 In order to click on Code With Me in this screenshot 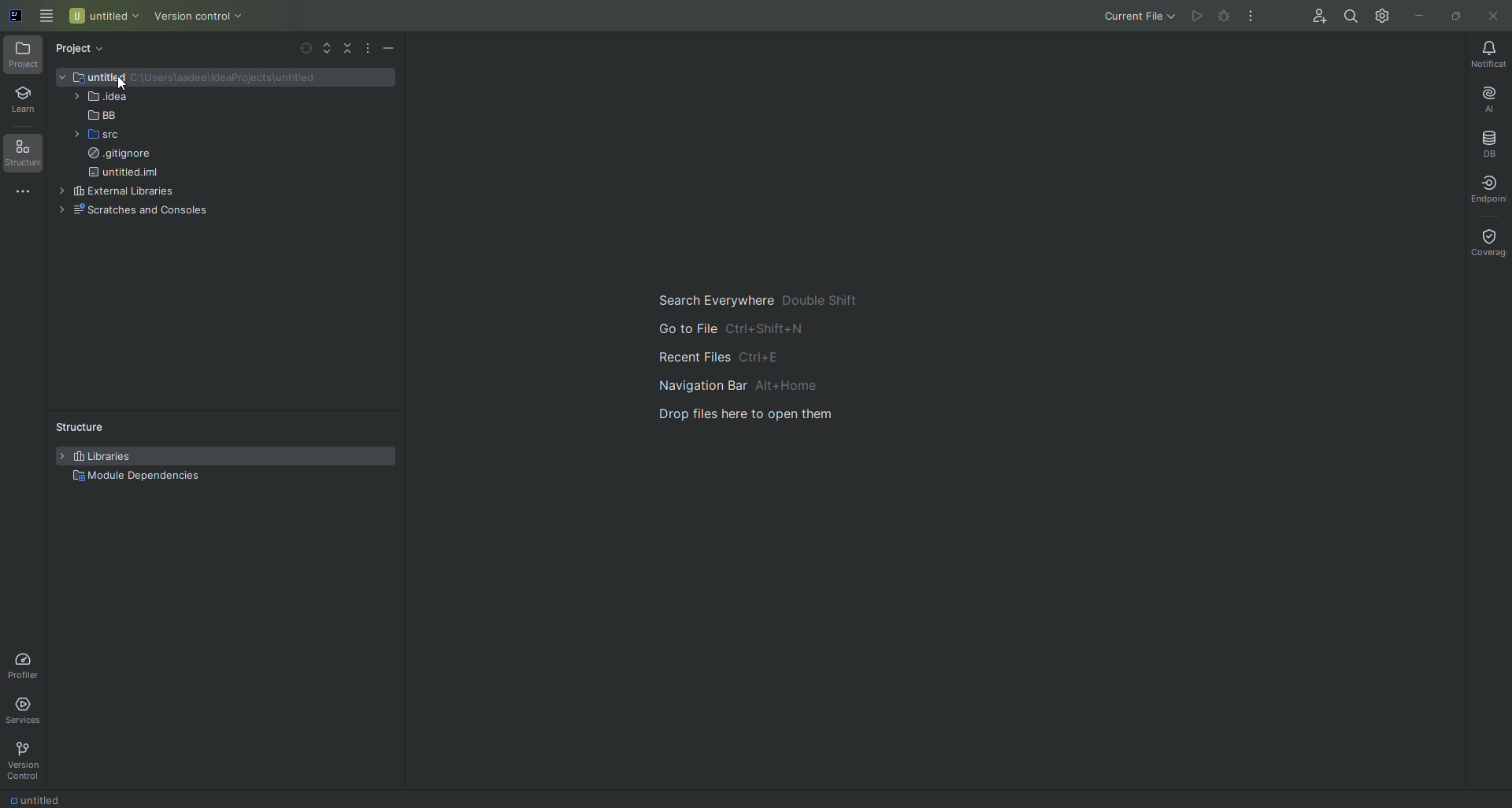, I will do `click(1310, 17)`.